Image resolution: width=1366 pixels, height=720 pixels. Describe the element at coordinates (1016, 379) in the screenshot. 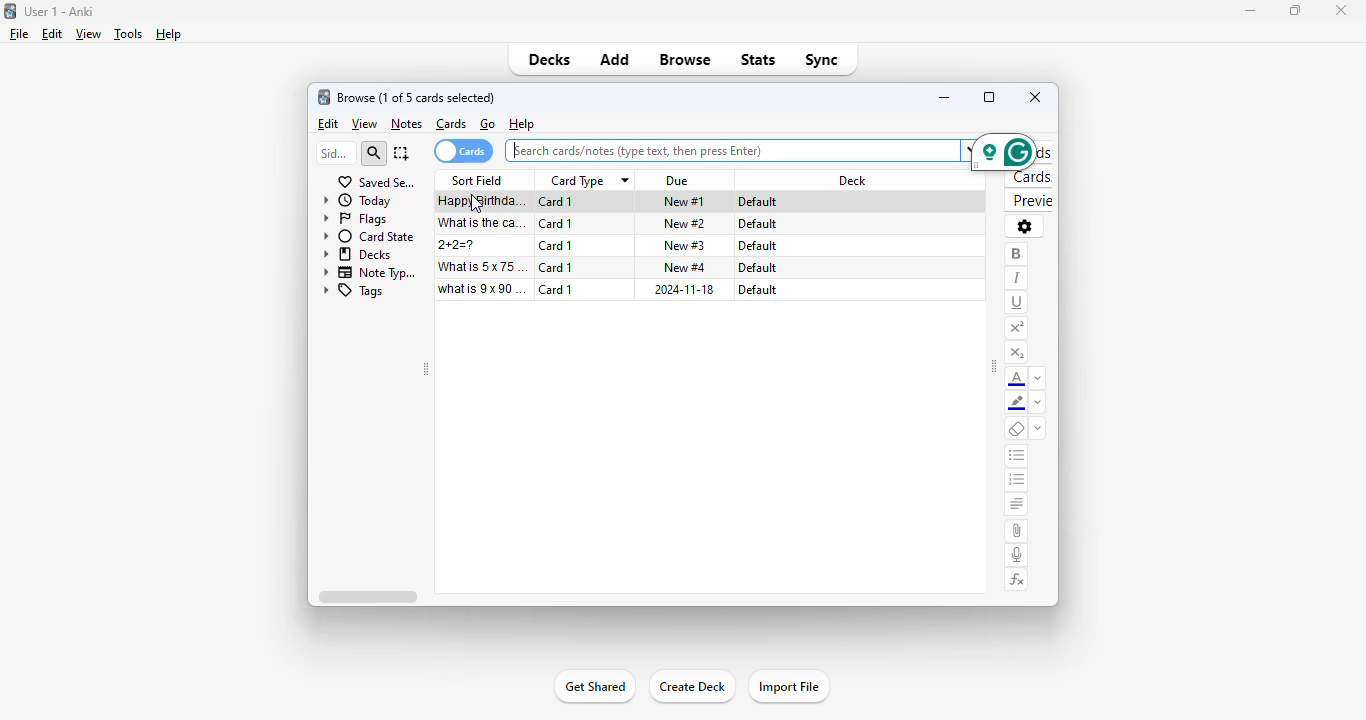

I see `text color` at that location.